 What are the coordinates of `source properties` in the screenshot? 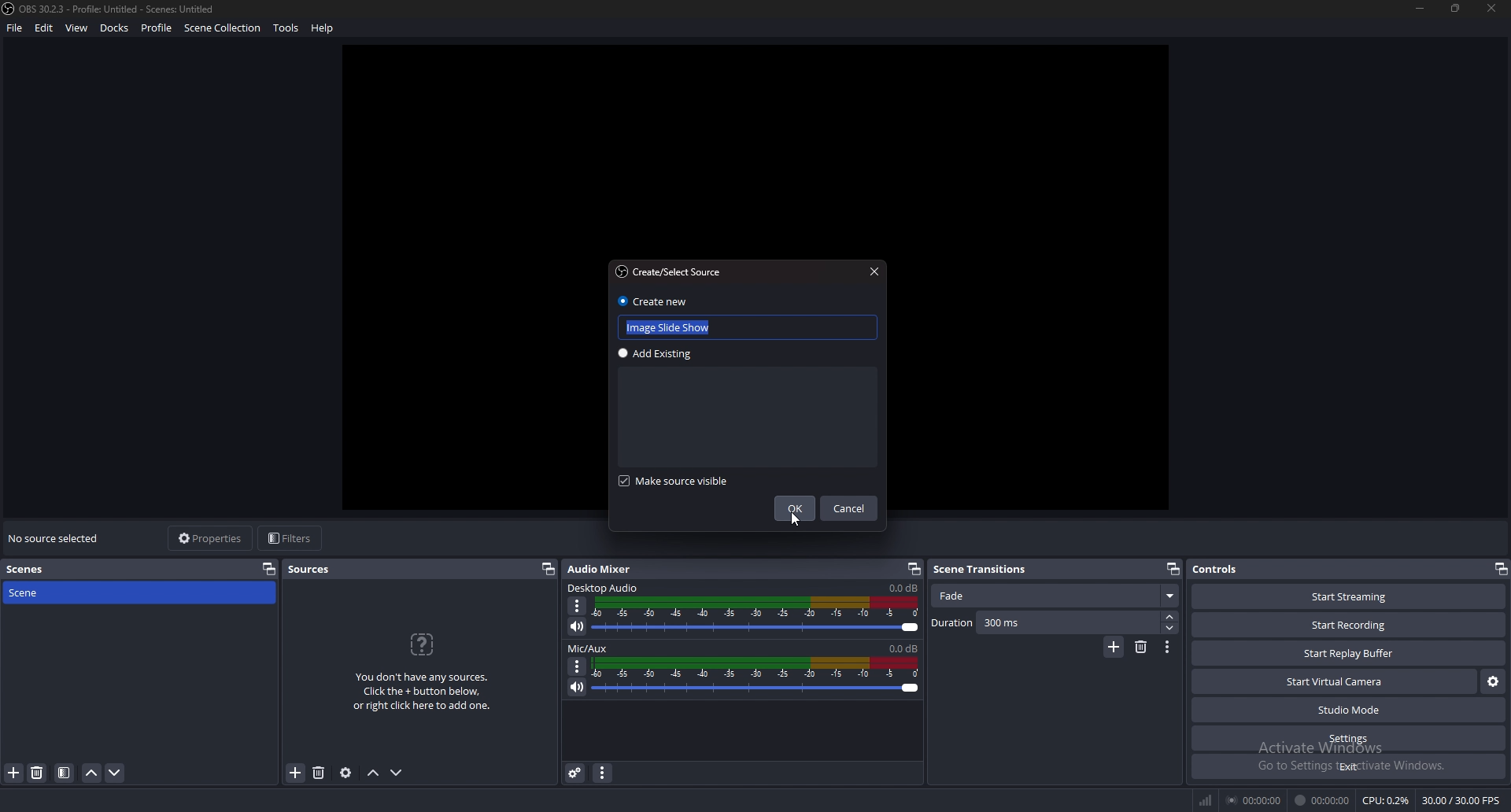 It's located at (346, 773).